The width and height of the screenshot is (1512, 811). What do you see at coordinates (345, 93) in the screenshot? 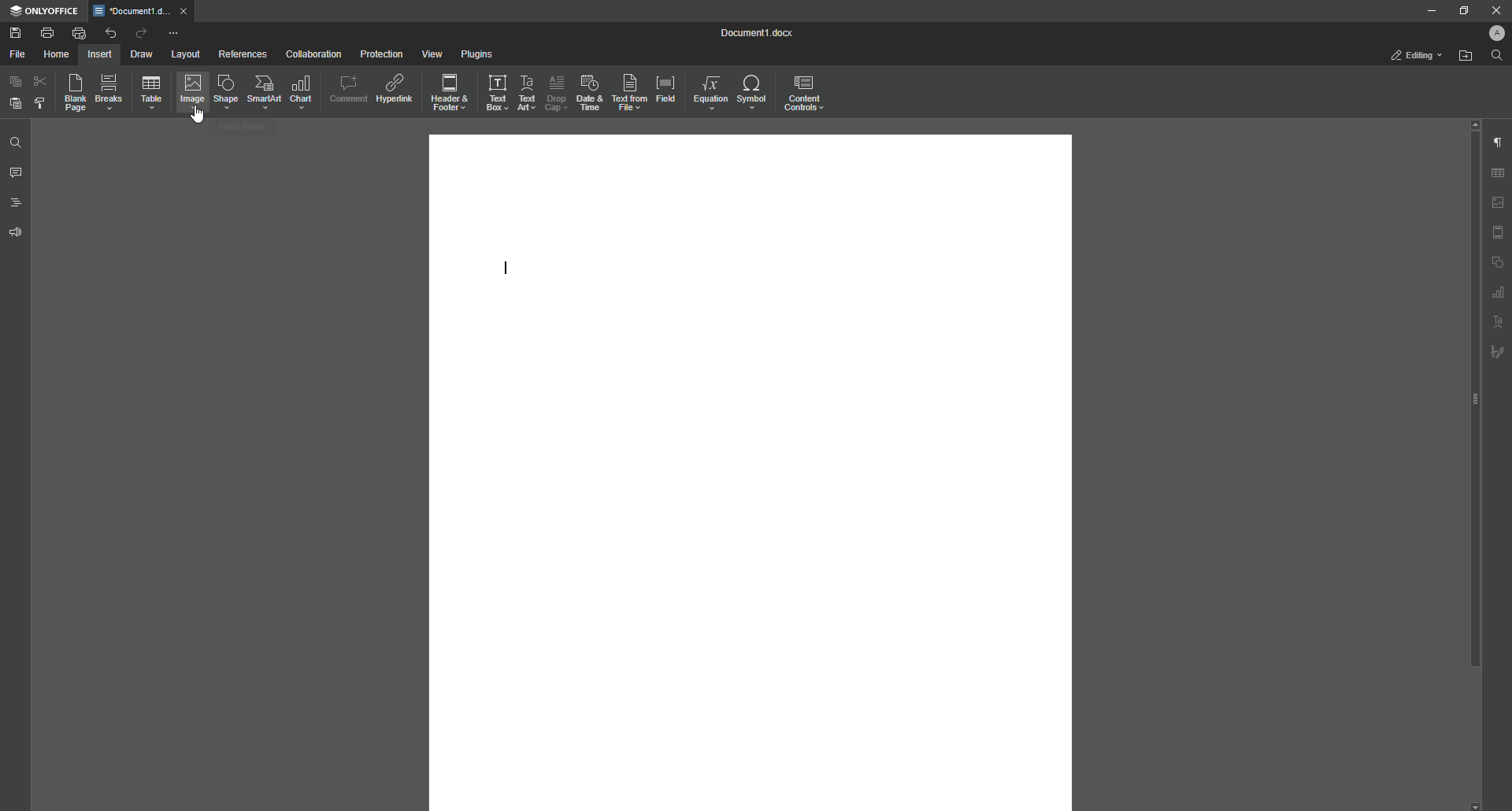
I see `Comment` at bounding box center [345, 93].